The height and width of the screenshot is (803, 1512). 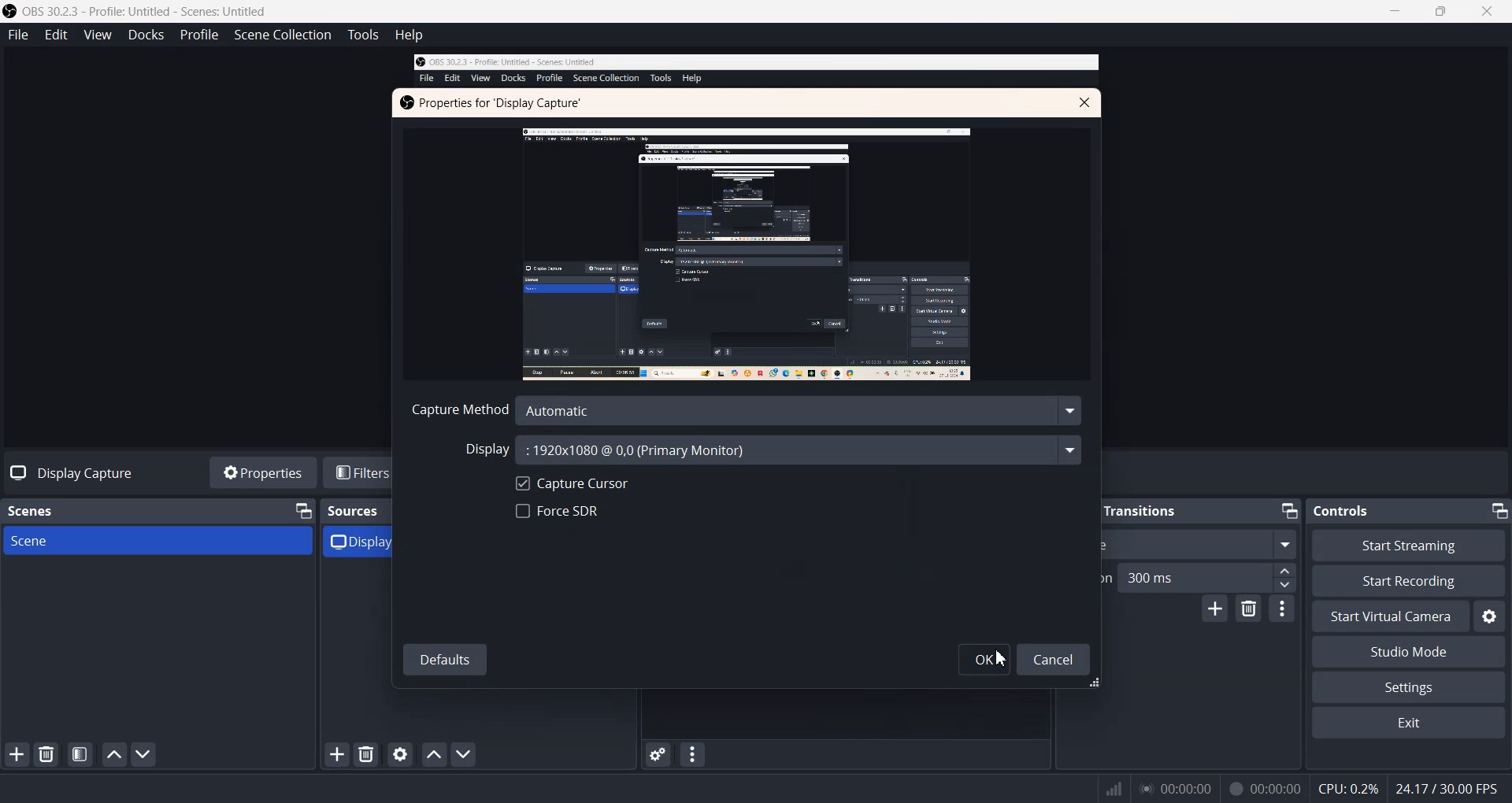 I want to click on CPU: 0.3%, so click(x=1348, y=787).